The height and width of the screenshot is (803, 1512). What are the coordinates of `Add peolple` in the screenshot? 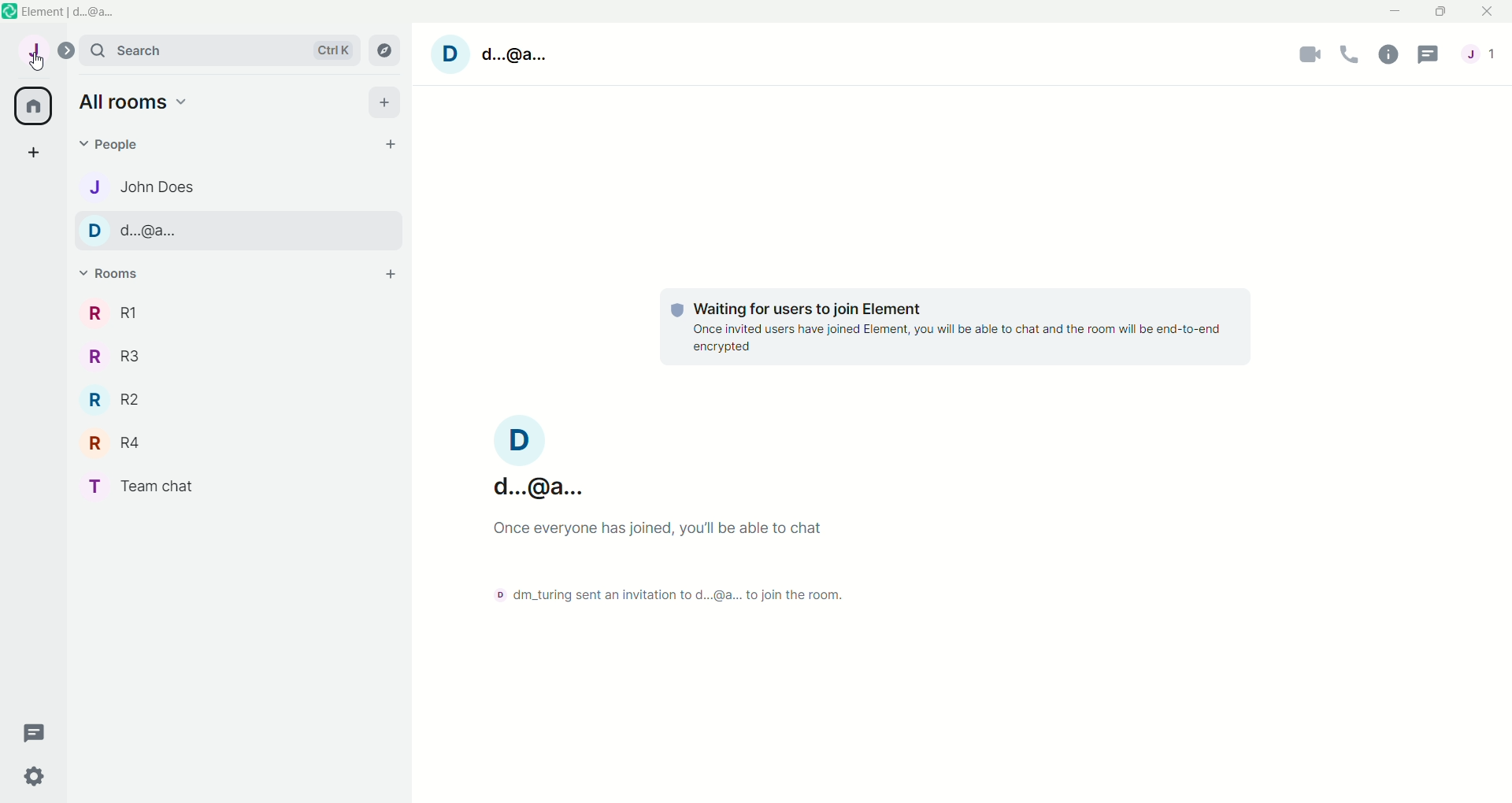 It's located at (391, 143).